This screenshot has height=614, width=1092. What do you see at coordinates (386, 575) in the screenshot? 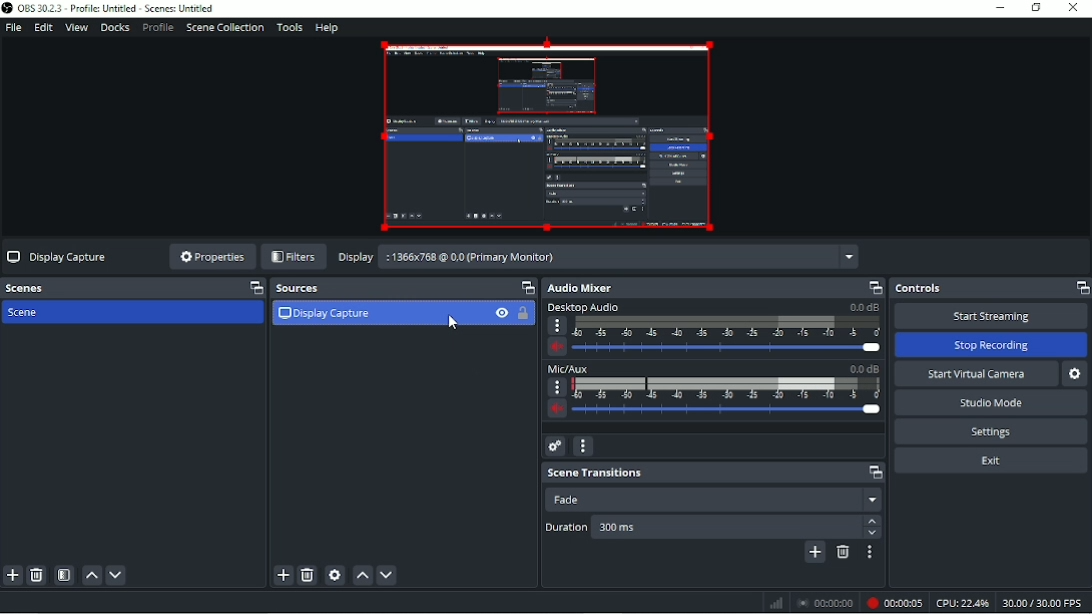
I see `Move source(s) down` at bounding box center [386, 575].